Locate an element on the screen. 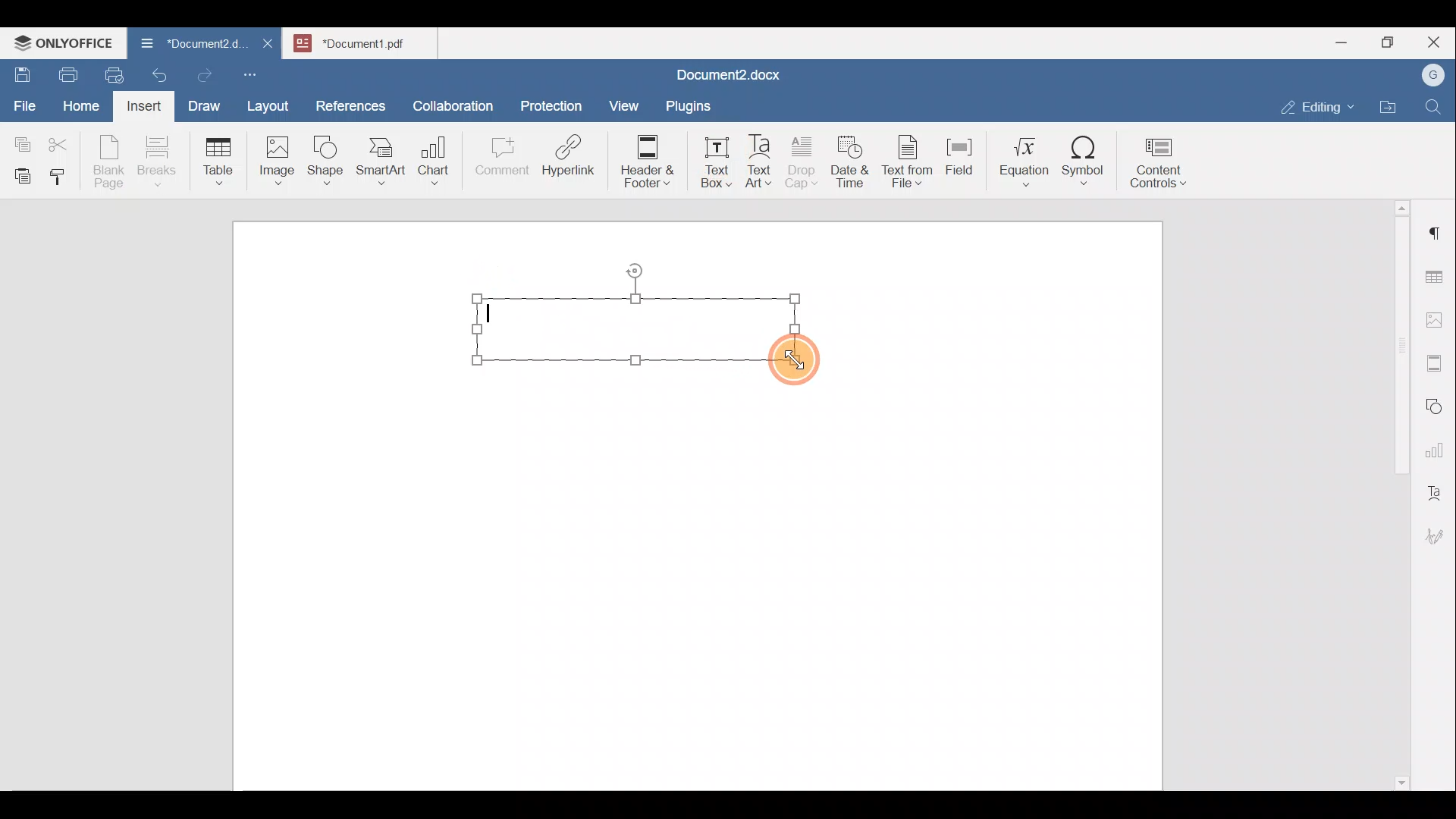 This screenshot has height=819, width=1456. References is located at coordinates (350, 104).